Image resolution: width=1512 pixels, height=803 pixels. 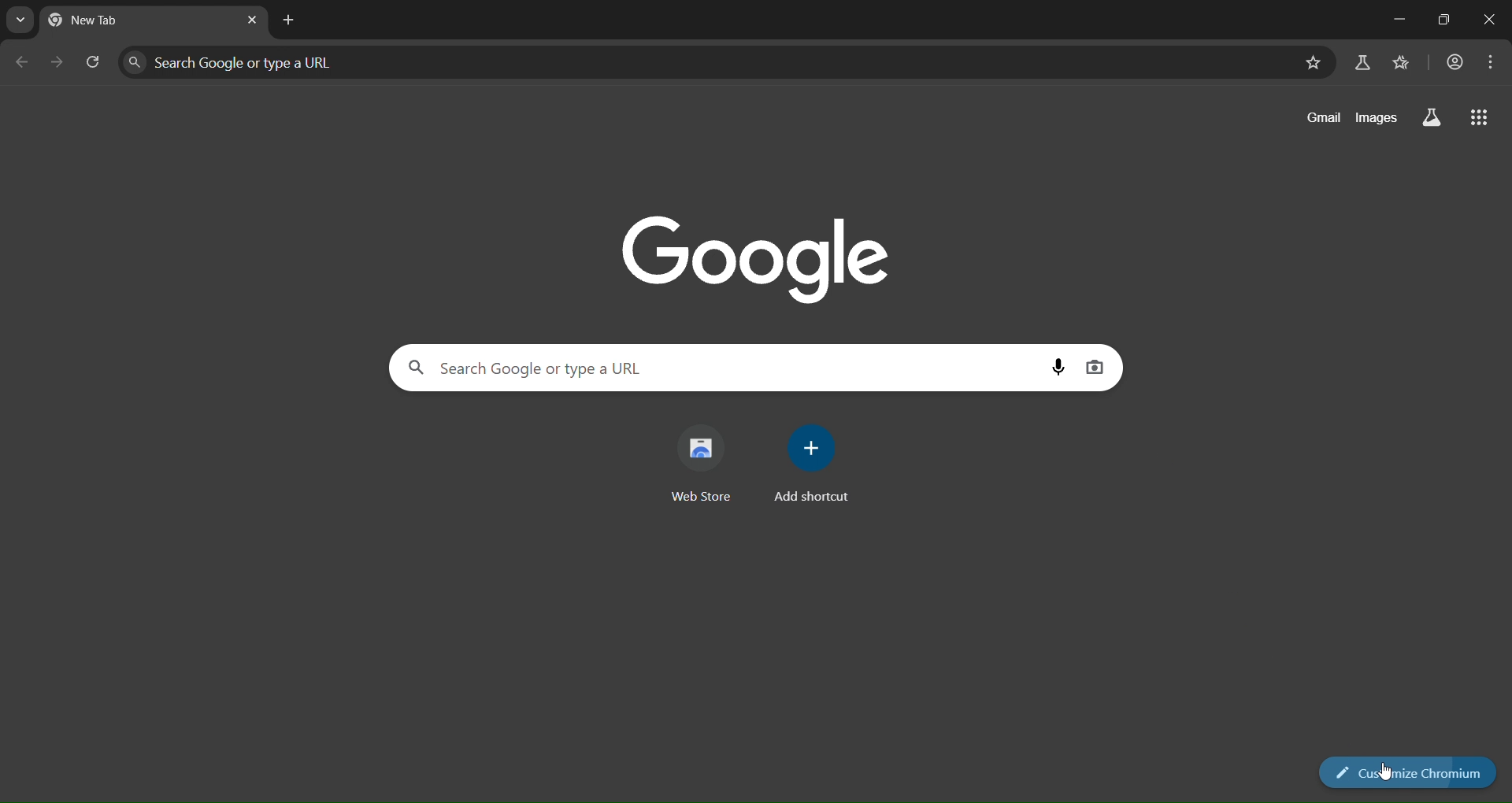 I want to click on images, so click(x=1377, y=118).